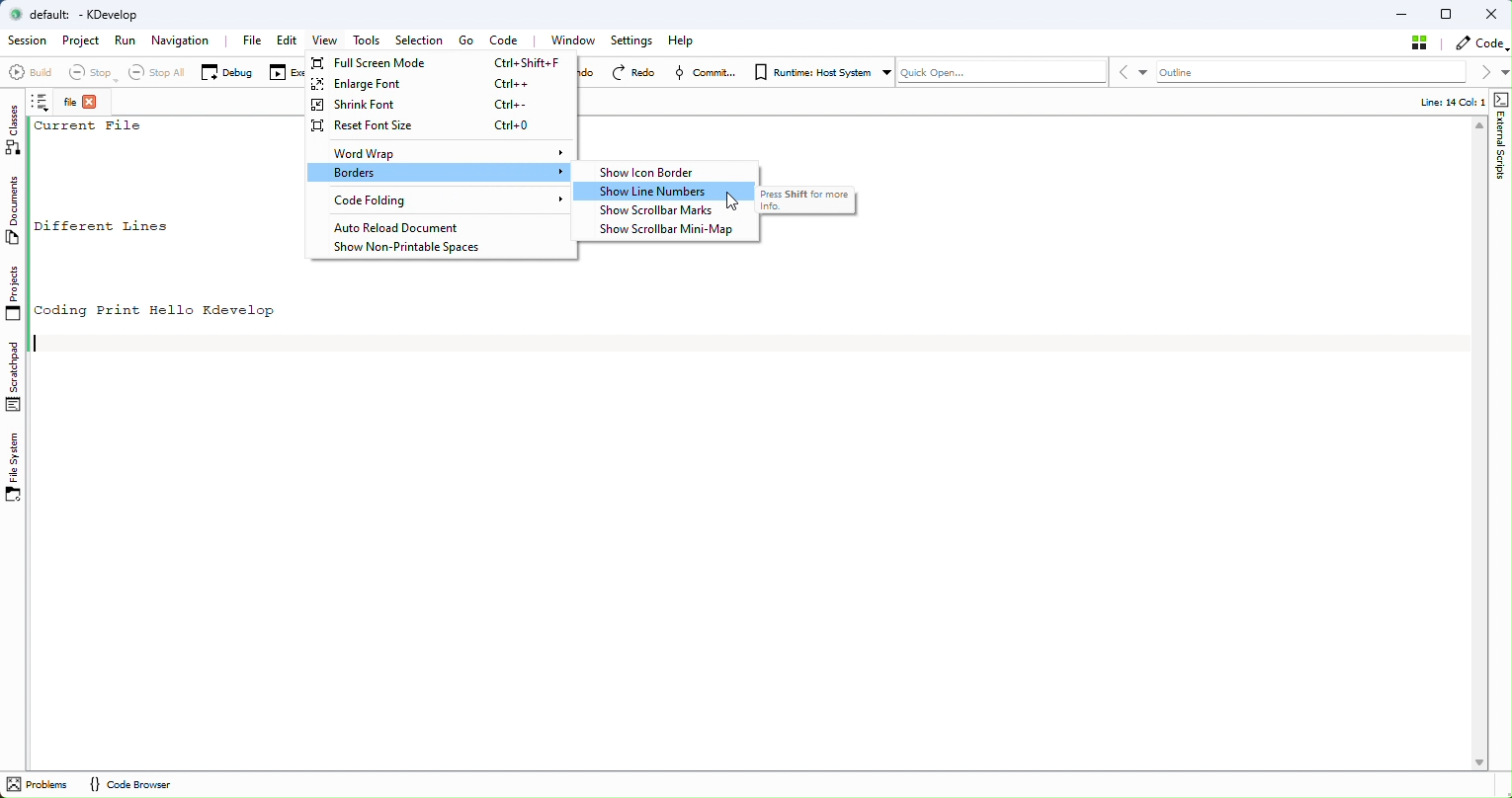 Image resolution: width=1512 pixels, height=798 pixels. Describe the element at coordinates (819, 70) in the screenshot. I see `Runtime` at that location.